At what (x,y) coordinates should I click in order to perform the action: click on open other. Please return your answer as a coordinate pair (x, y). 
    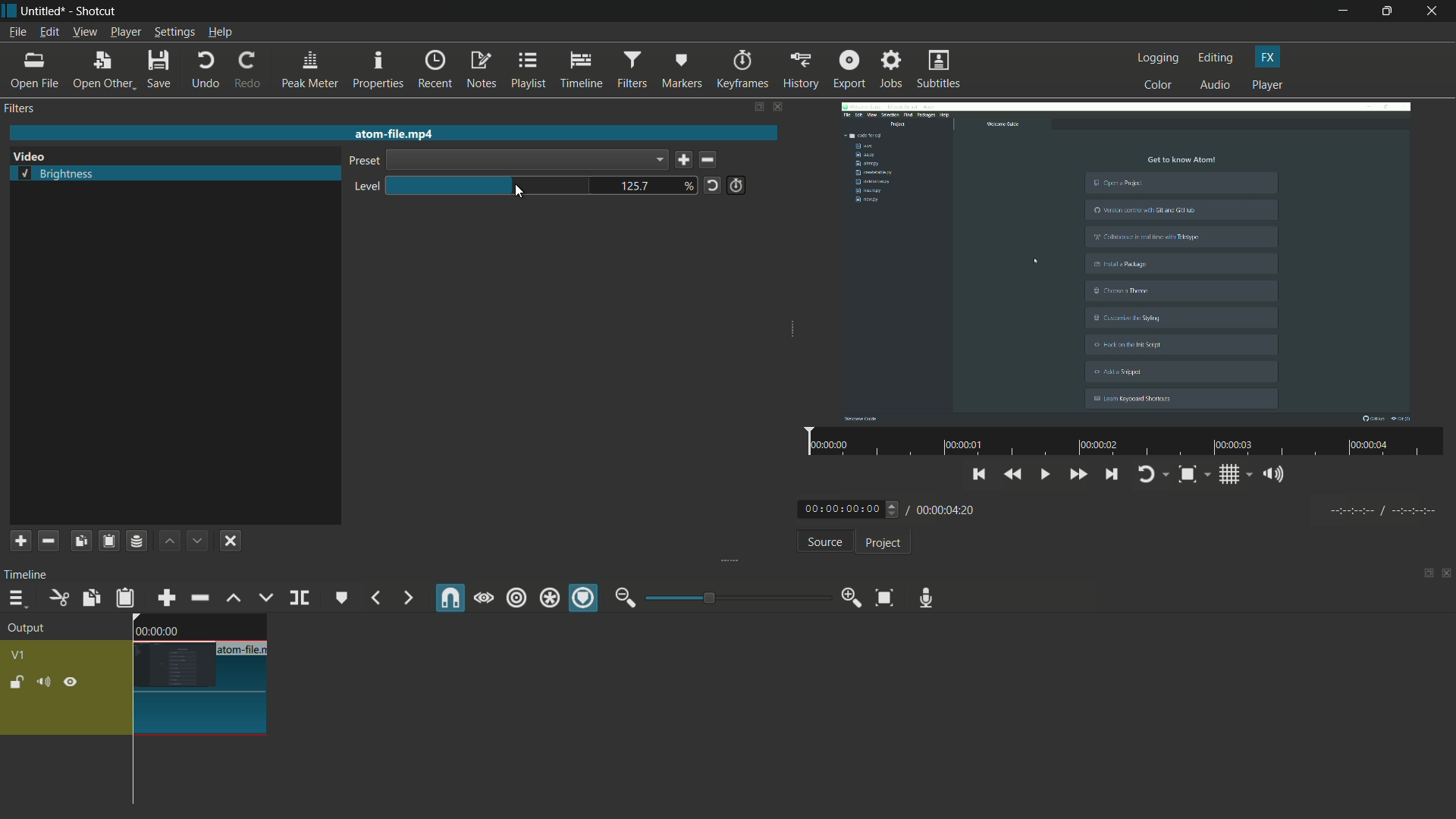
    Looking at the image, I should click on (103, 71).